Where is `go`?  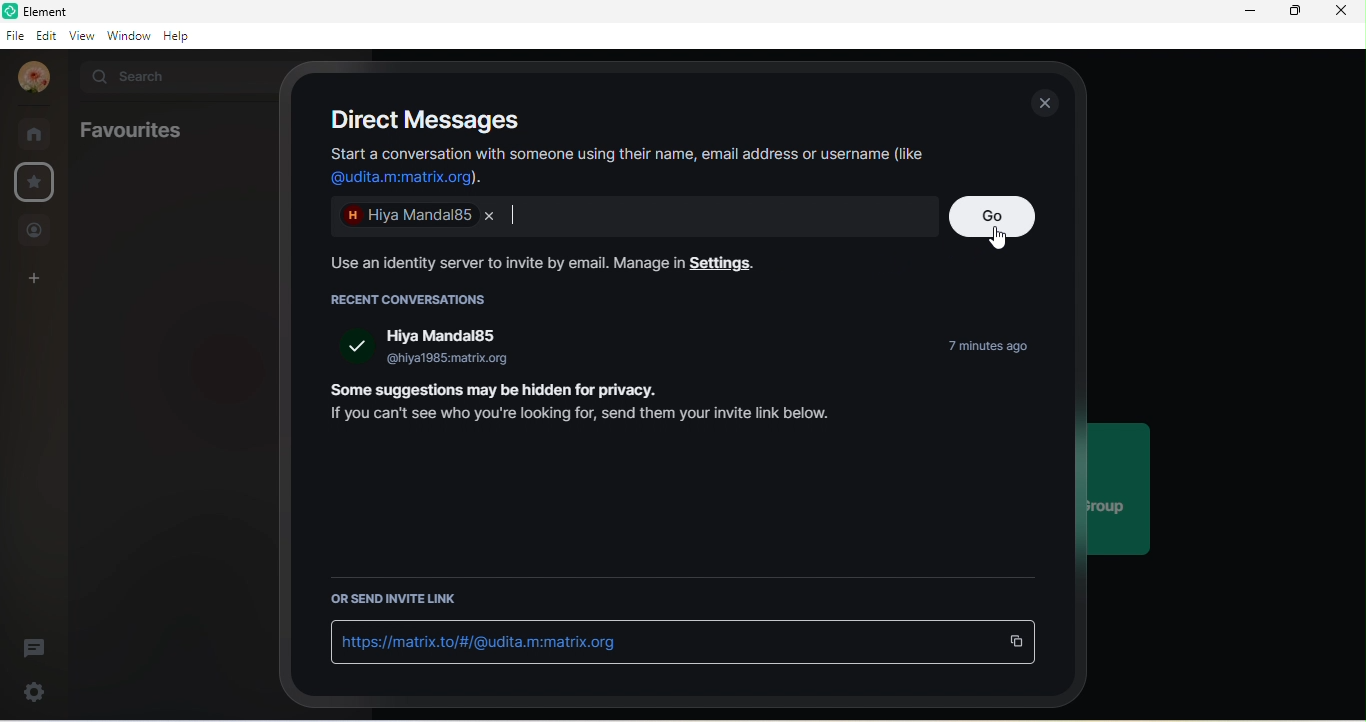
go is located at coordinates (993, 217).